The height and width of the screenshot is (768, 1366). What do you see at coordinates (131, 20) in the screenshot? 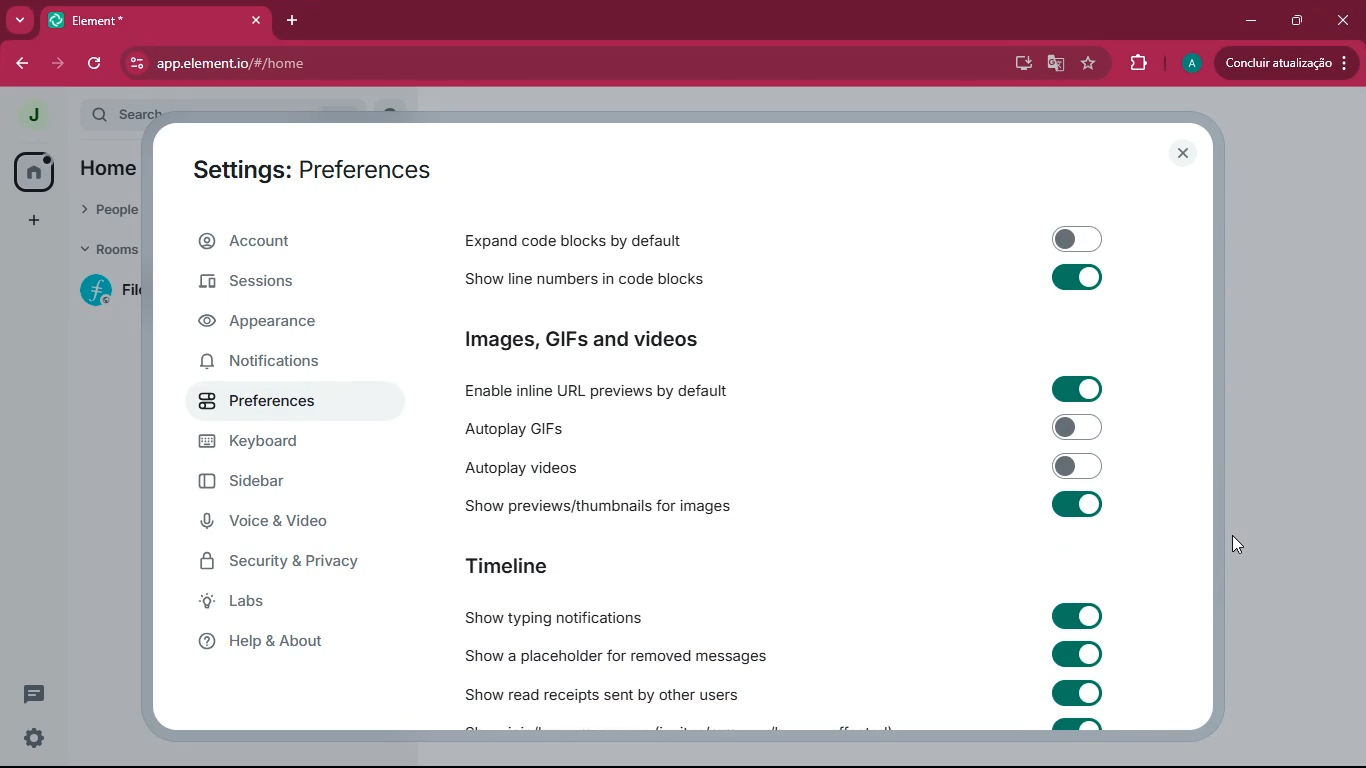
I see `tab` at bounding box center [131, 20].